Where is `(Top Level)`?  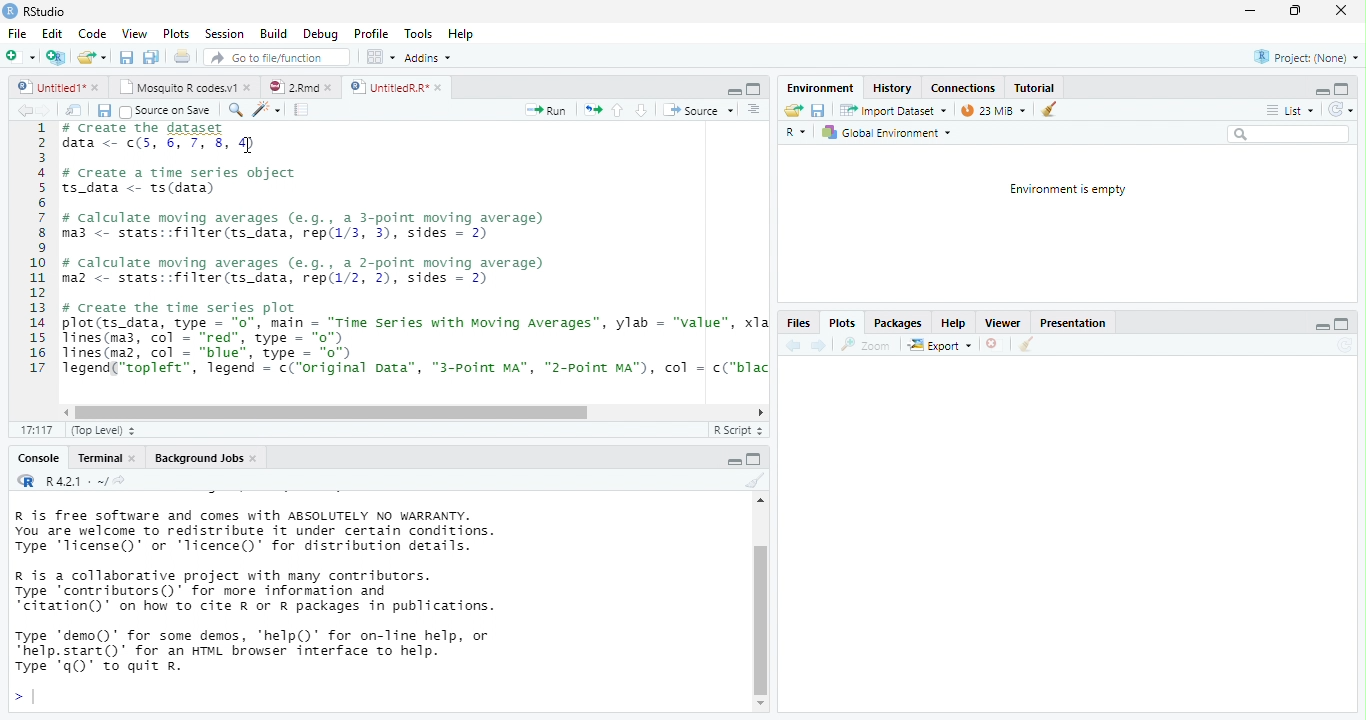
(Top Level) is located at coordinates (98, 431).